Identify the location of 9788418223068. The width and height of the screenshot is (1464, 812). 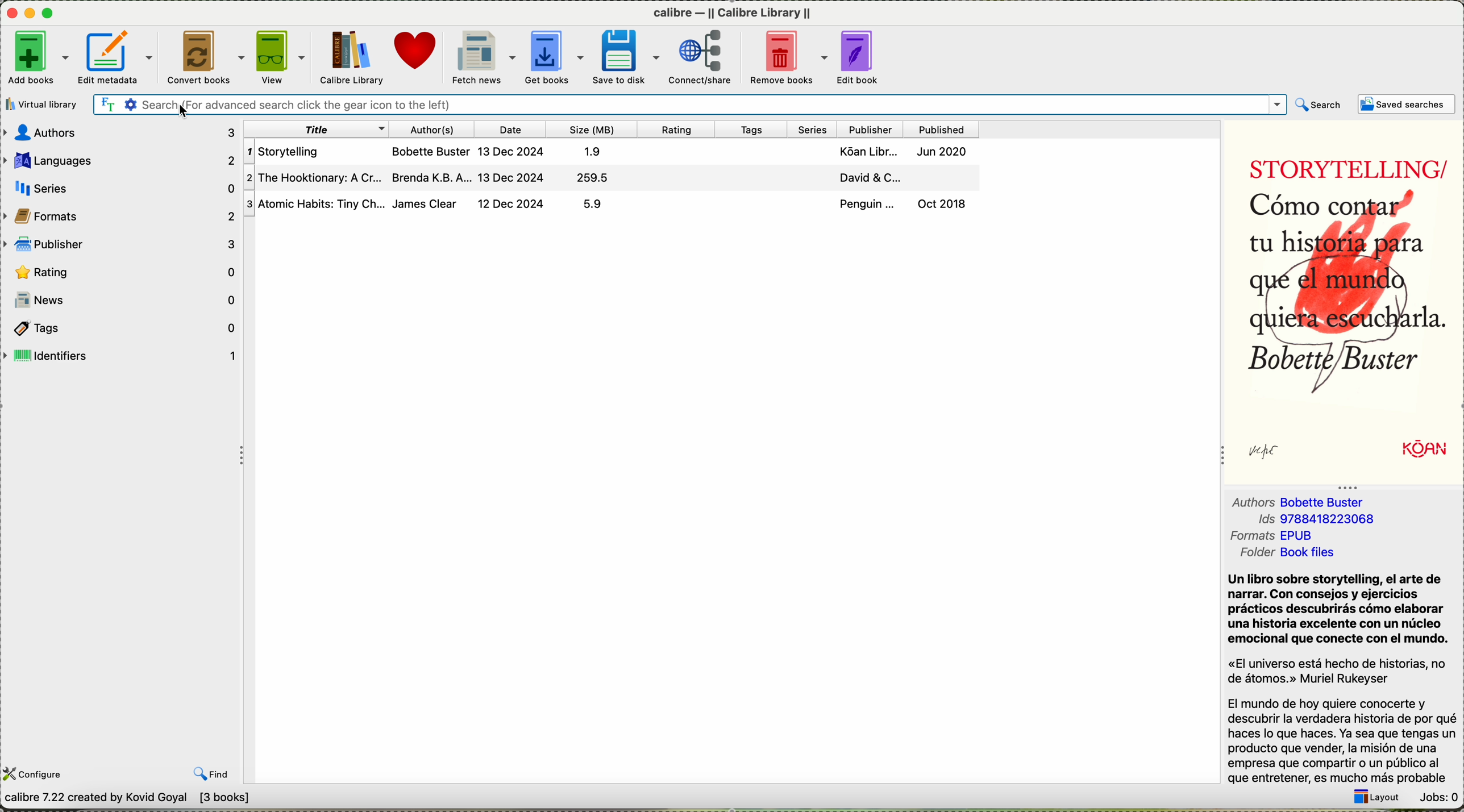
(1333, 521).